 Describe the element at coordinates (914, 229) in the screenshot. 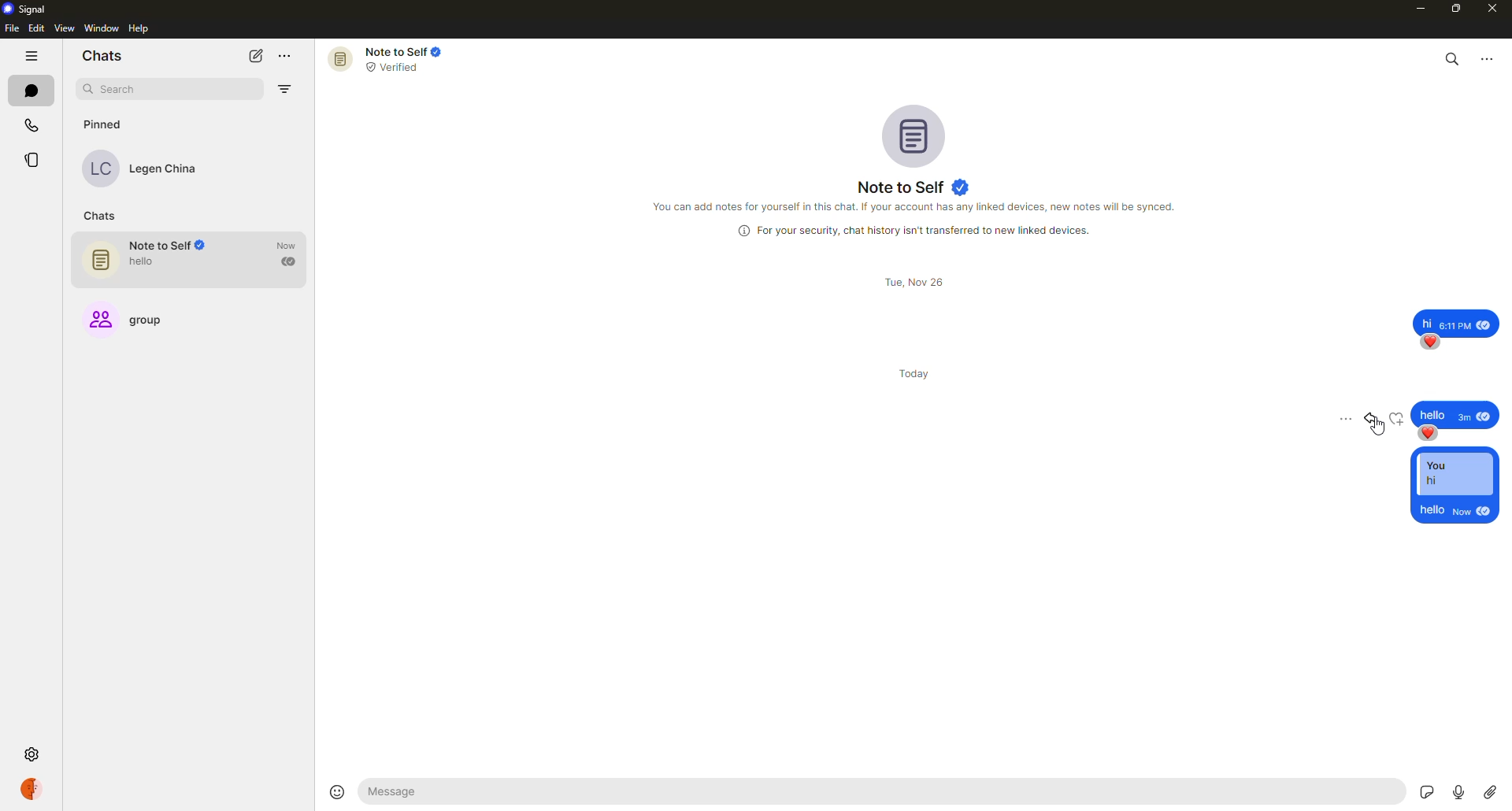

I see `info` at that location.